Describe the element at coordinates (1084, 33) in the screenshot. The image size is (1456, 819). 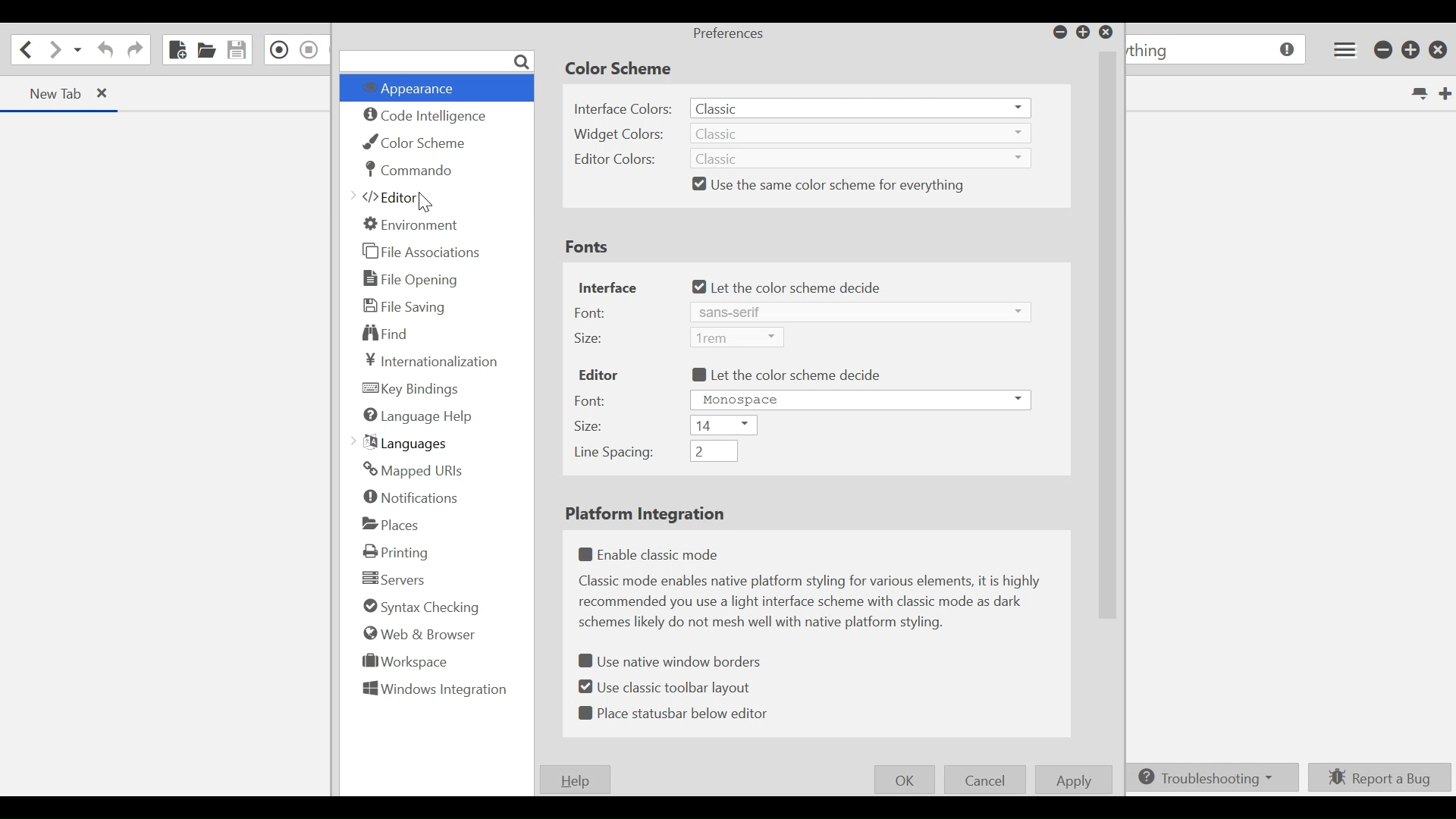
I see `restore` at that location.